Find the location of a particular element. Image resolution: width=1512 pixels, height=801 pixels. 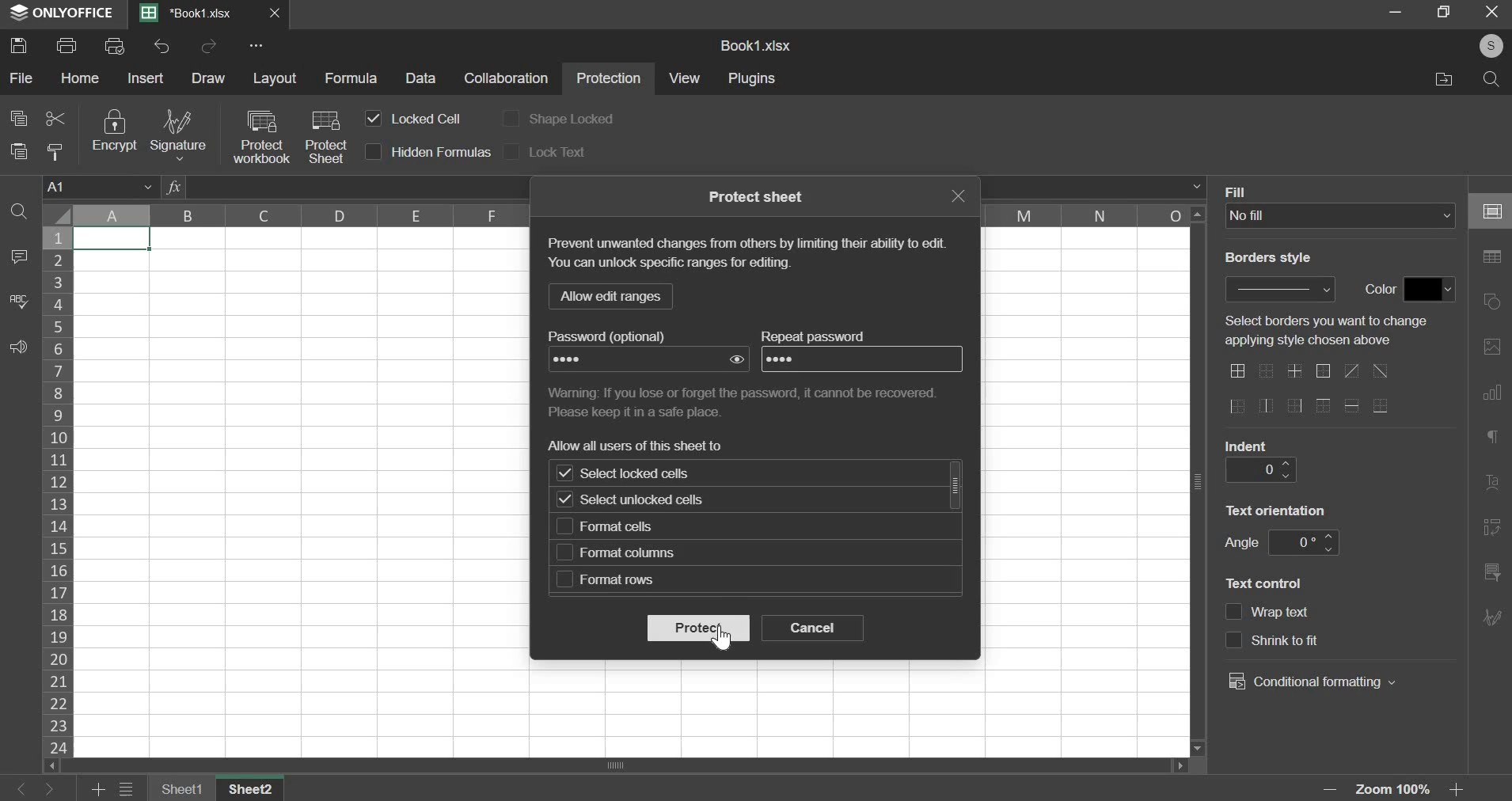

indent is located at coordinates (1259, 469).